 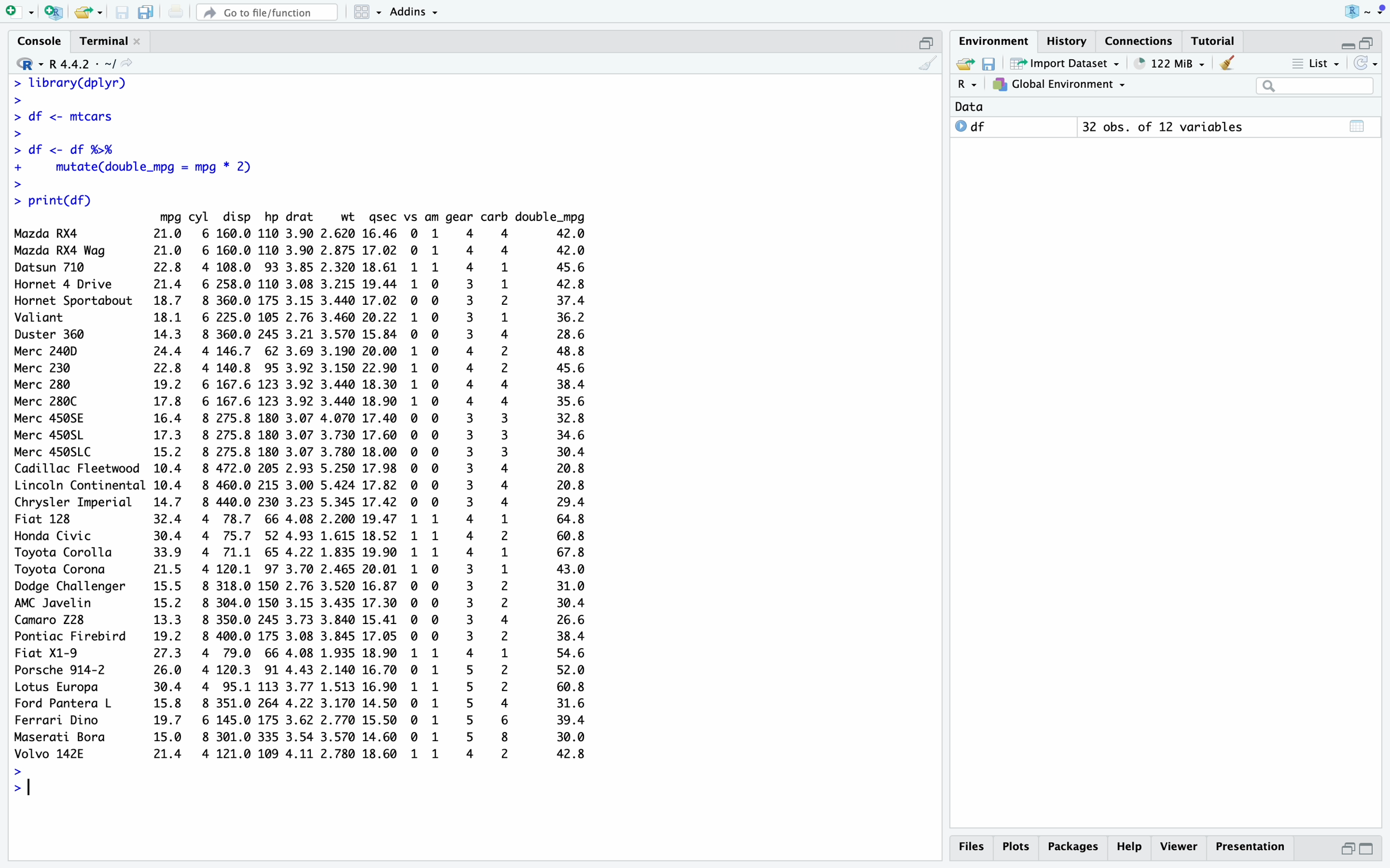 What do you see at coordinates (1164, 127) in the screenshot?
I see `32 obs. of 12 variables` at bounding box center [1164, 127].